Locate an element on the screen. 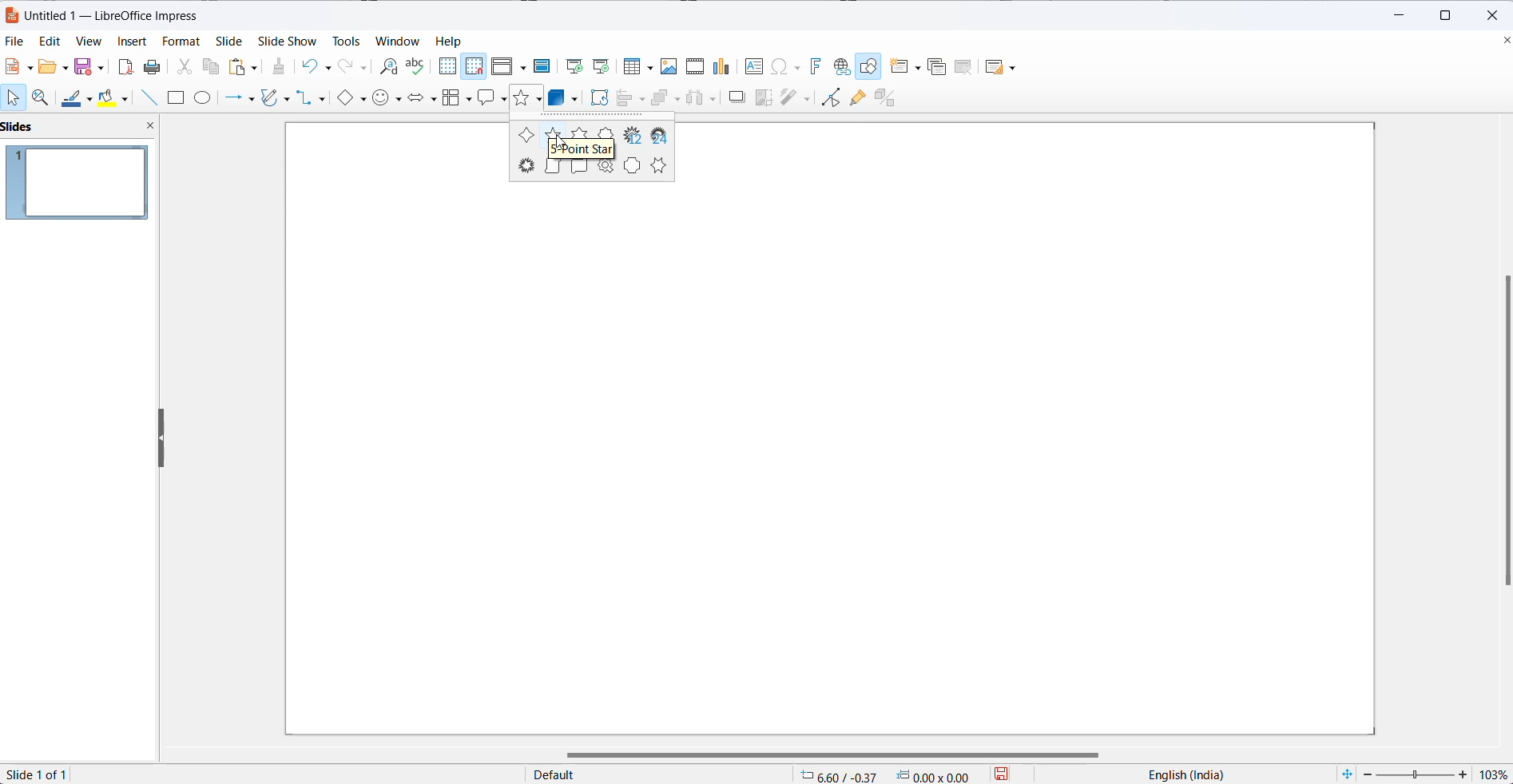 The height and width of the screenshot is (784, 1513). start from first slide is located at coordinates (570, 65).